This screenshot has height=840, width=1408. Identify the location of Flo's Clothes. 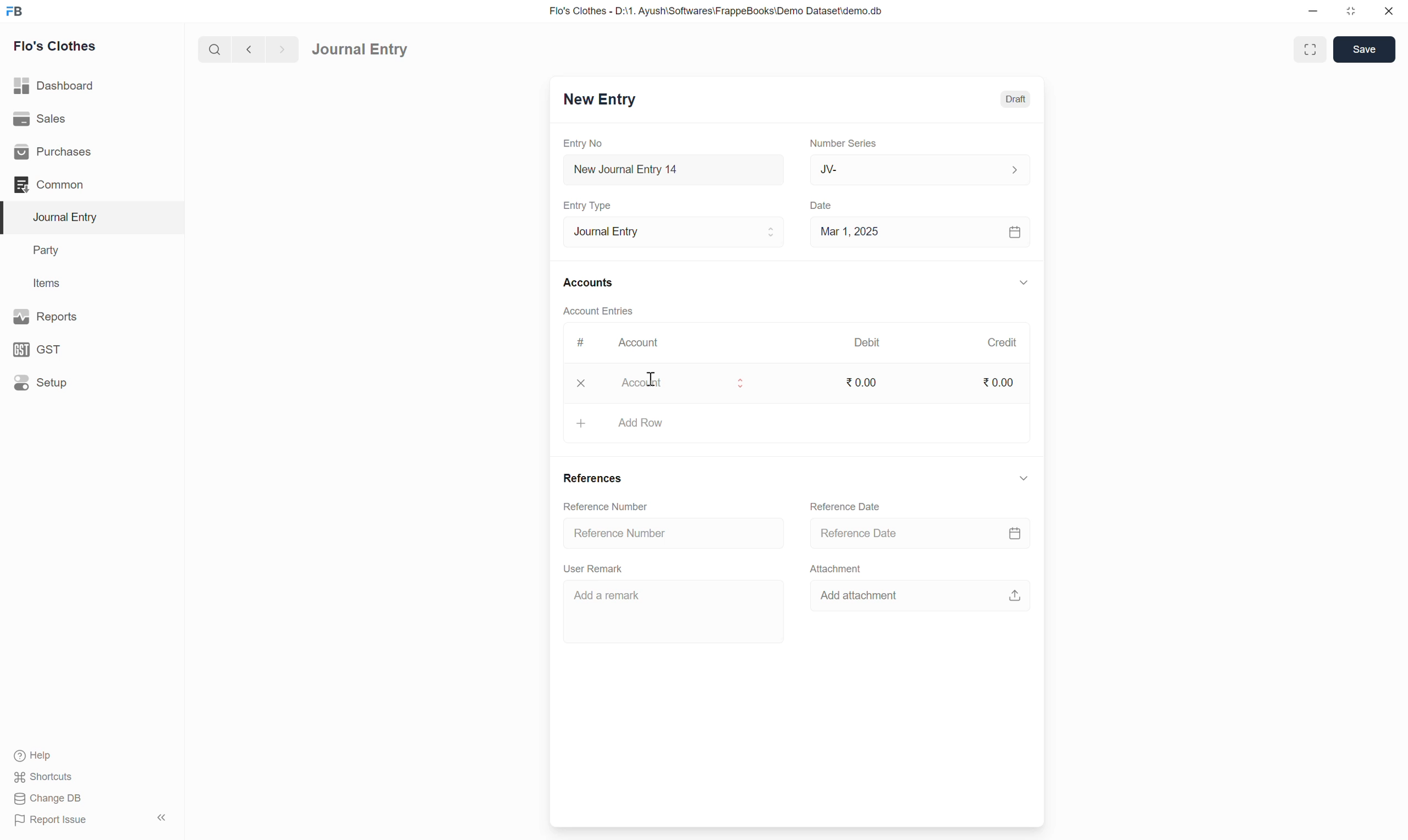
(57, 46).